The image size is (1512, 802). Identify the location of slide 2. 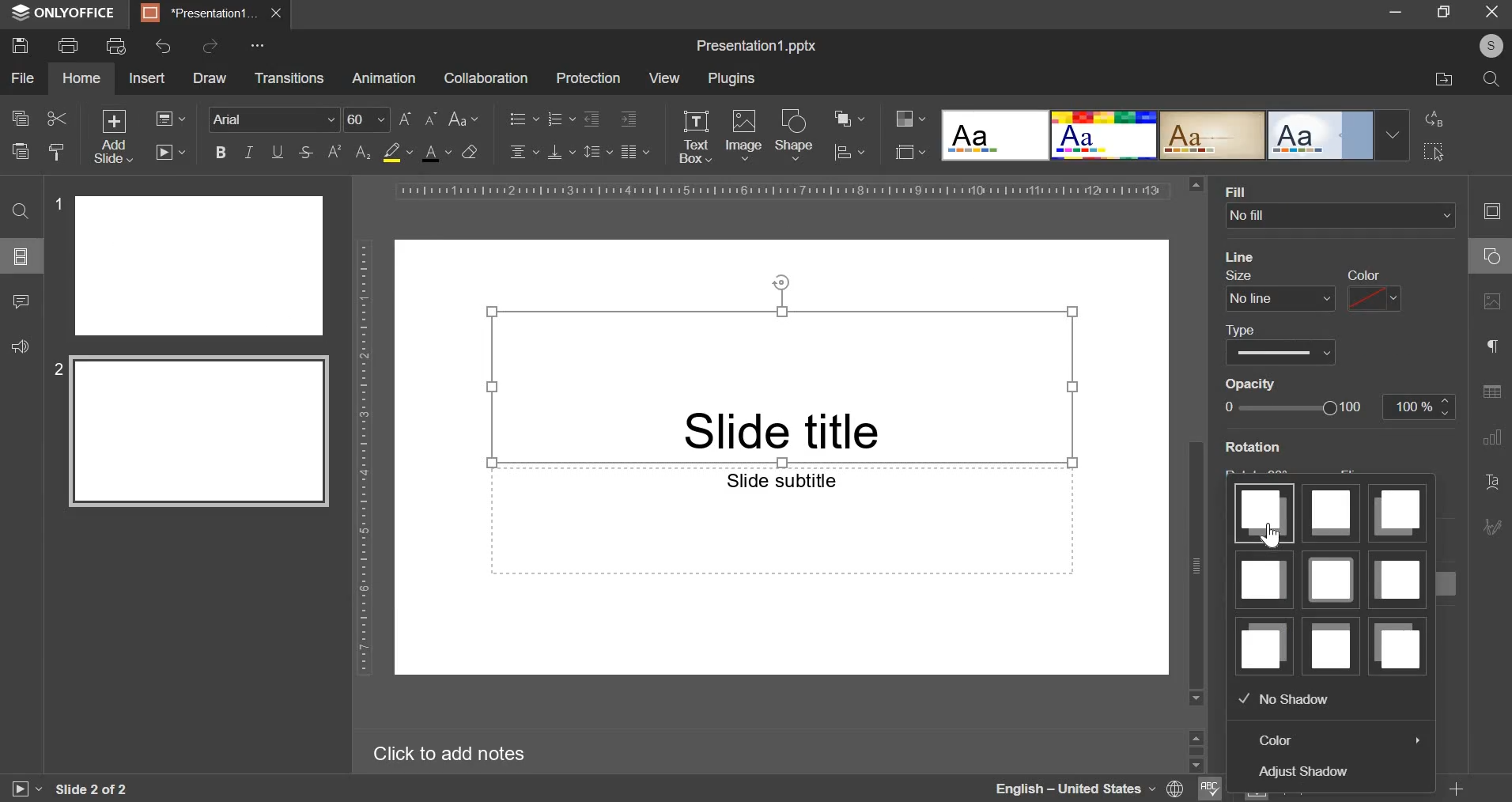
(194, 433).